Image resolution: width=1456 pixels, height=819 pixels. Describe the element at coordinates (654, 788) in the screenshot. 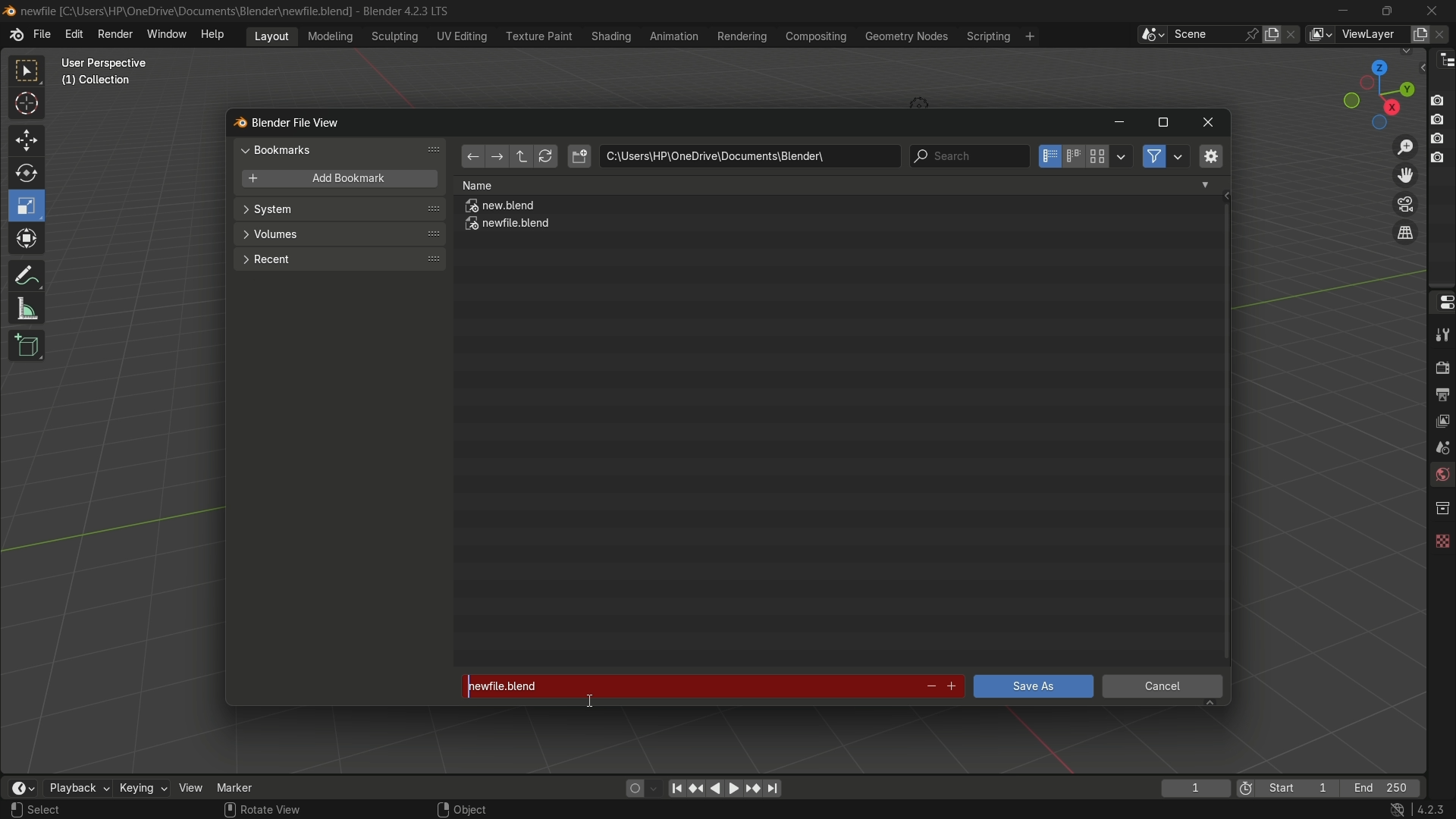

I see `auto keyframe` at that location.